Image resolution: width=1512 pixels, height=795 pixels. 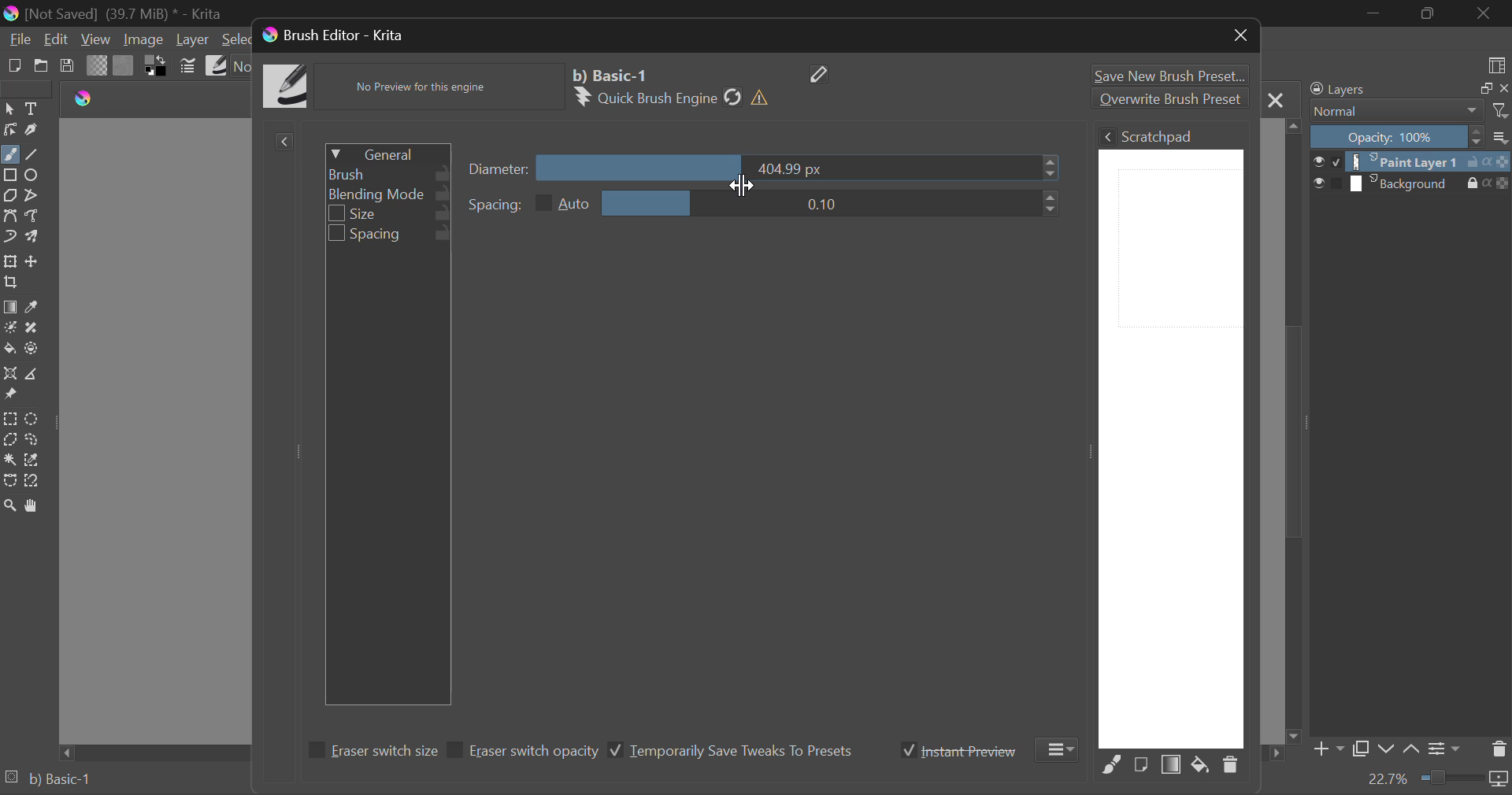 I want to click on Instant Preview, so click(x=959, y=750).